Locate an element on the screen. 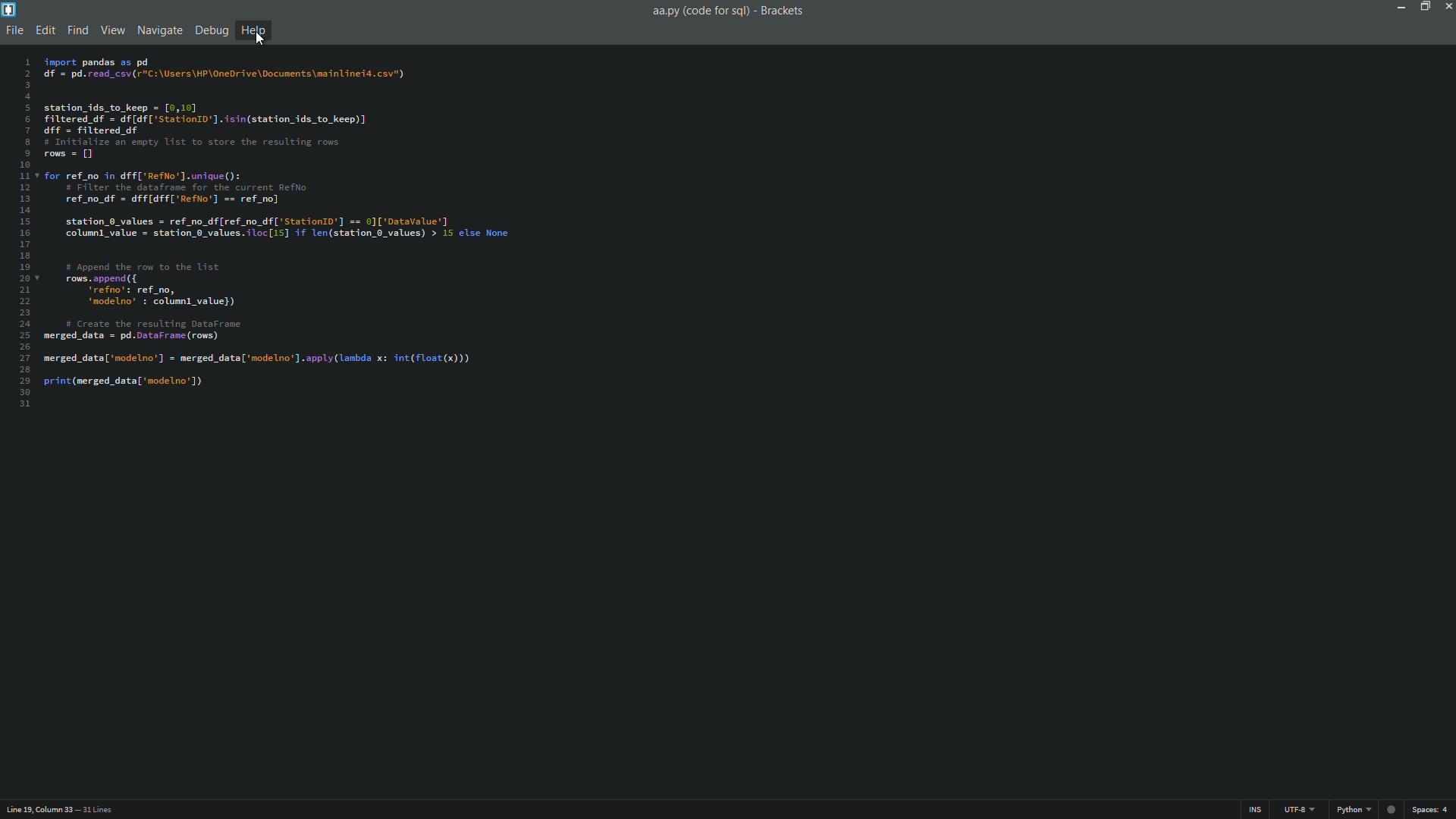  help menu is located at coordinates (253, 30).